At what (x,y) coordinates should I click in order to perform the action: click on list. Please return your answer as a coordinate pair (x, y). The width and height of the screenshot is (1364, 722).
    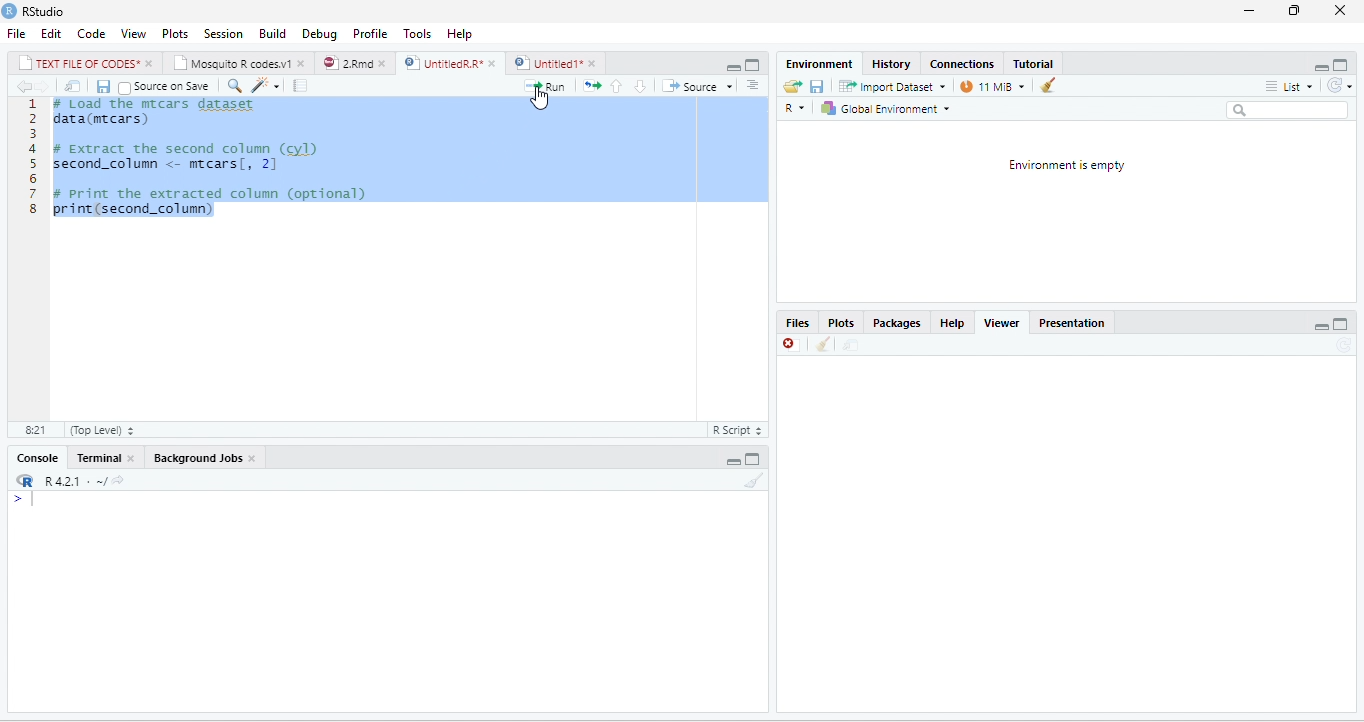
    Looking at the image, I should click on (1291, 87).